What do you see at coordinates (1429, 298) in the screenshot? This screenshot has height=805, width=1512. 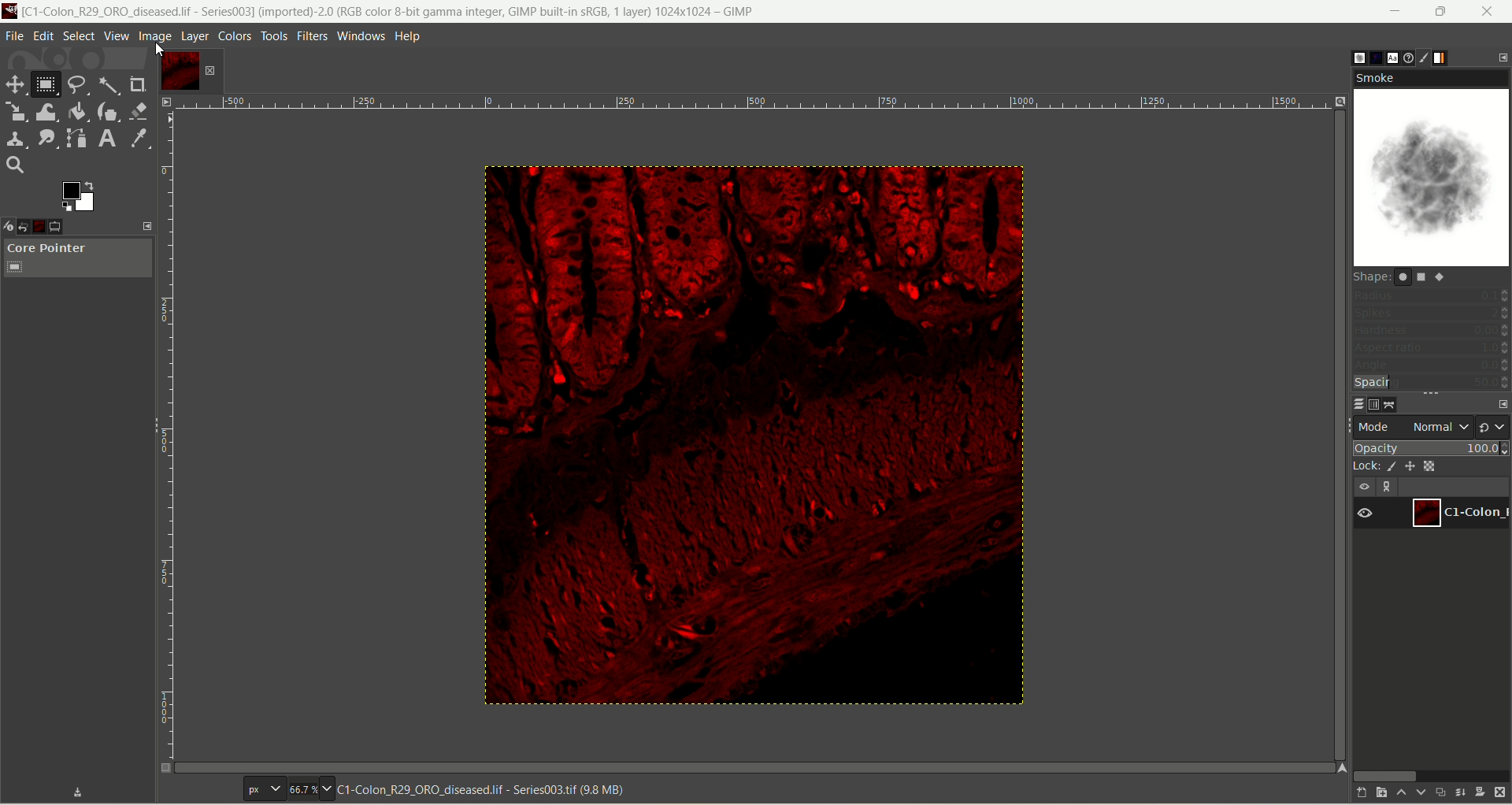 I see `radius` at bounding box center [1429, 298].